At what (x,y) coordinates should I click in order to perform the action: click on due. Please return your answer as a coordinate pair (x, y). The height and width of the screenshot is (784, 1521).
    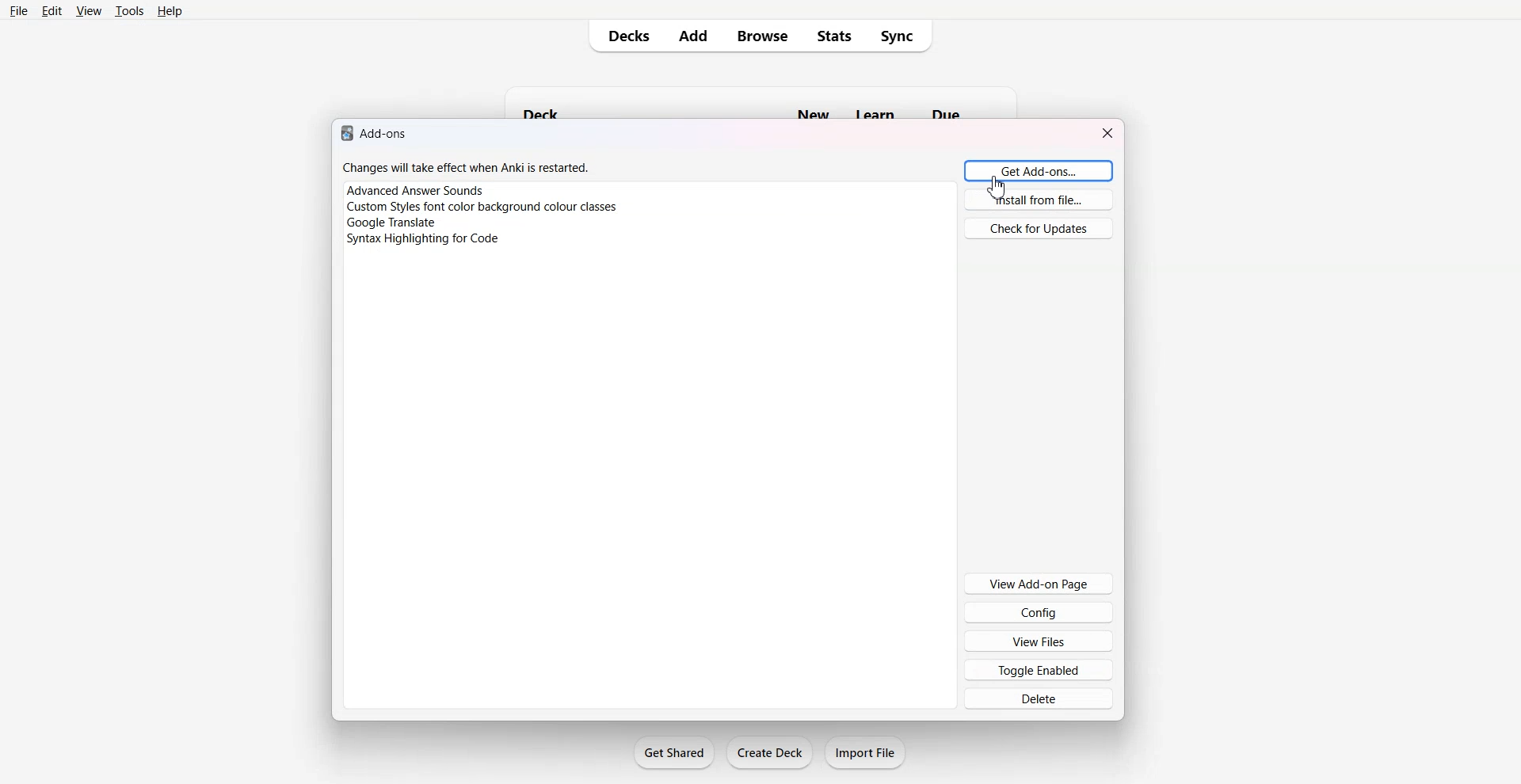
    Looking at the image, I should click on (946, 113).